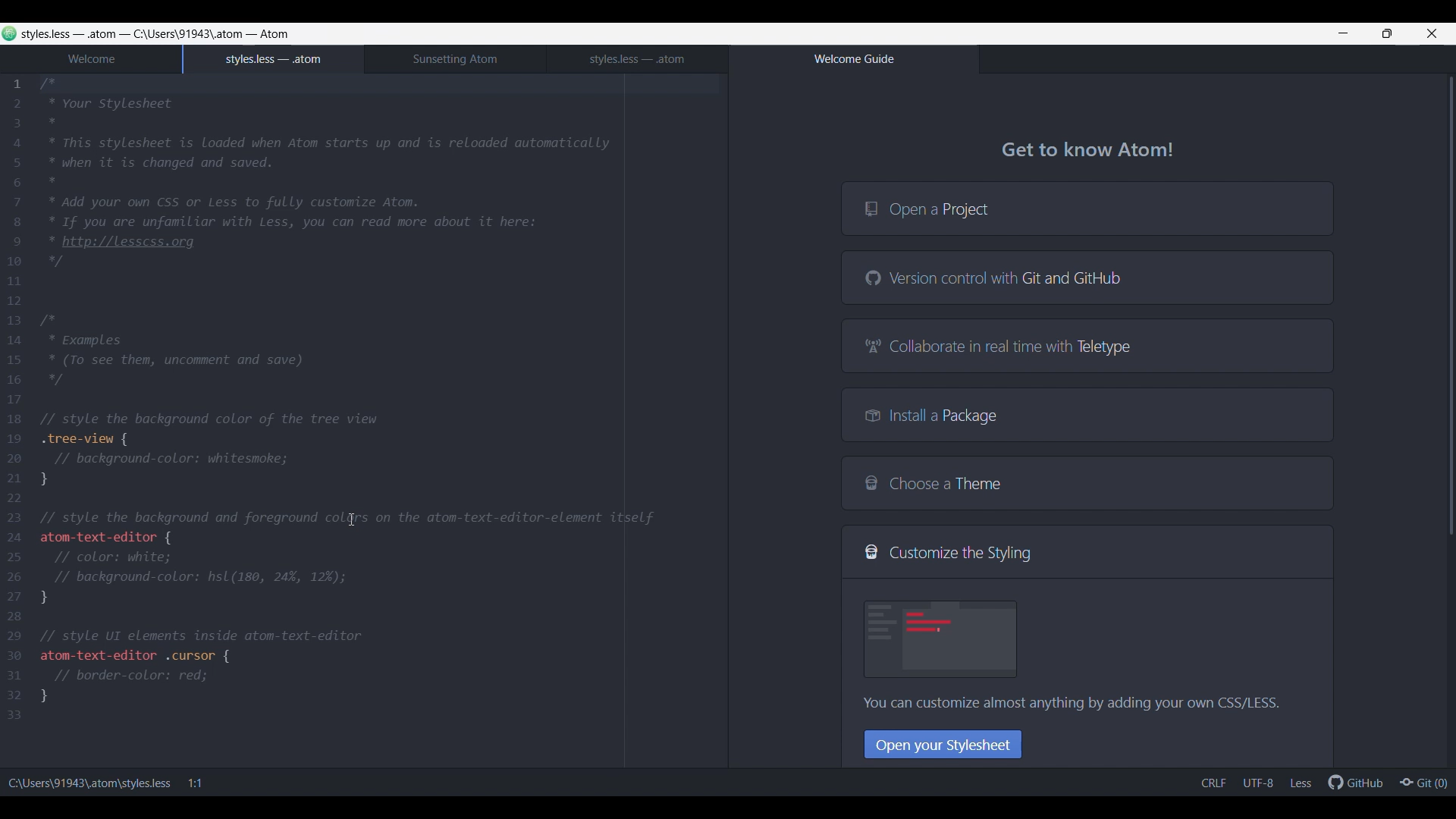 The height and width of the screenshot is (819, 1456). Describe the element at coordinates (1432, 33) in the screenshot. I see `Close interface` at that location.